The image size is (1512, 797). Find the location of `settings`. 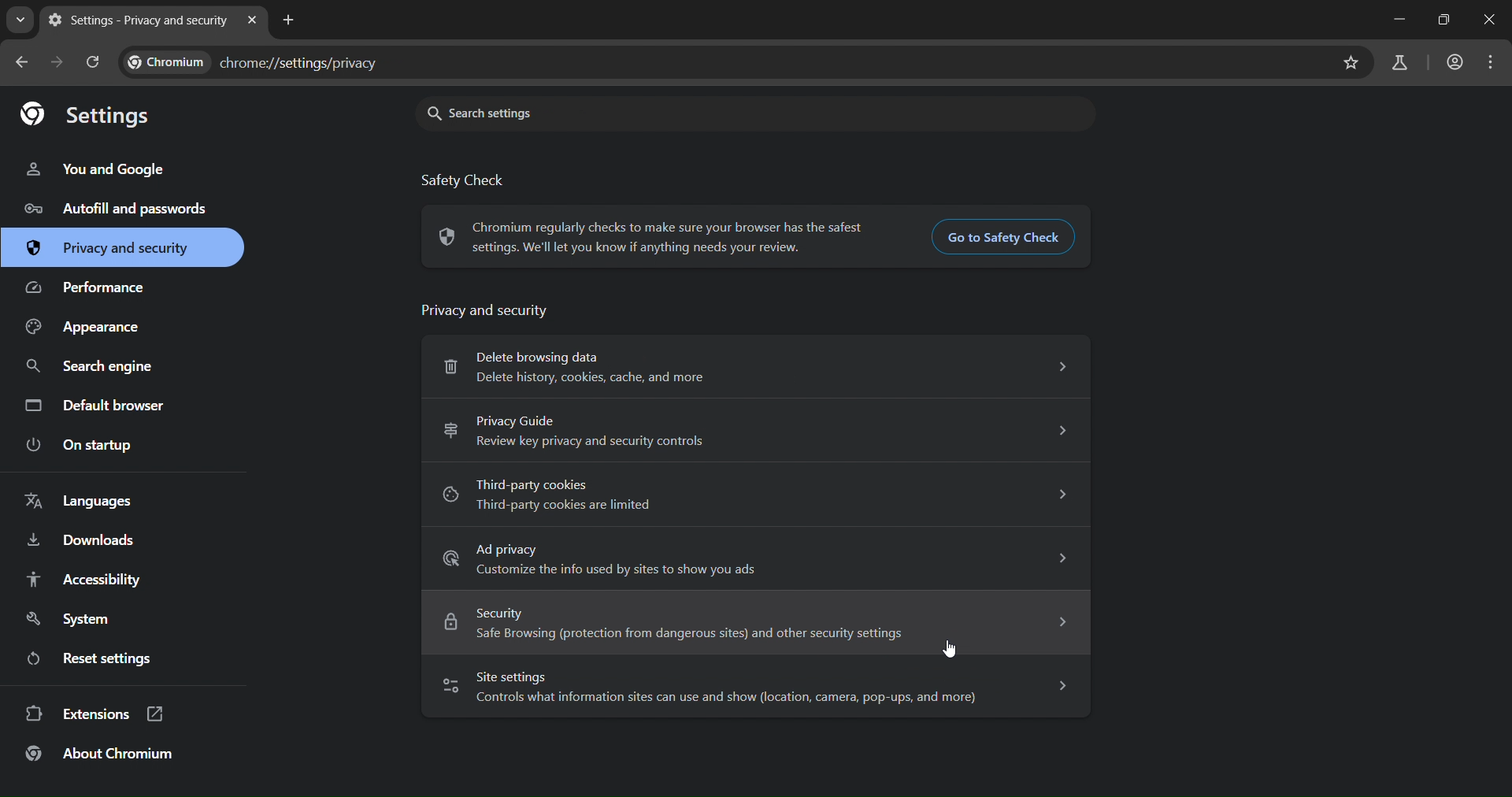

settings is located at coordinates (96, 114).